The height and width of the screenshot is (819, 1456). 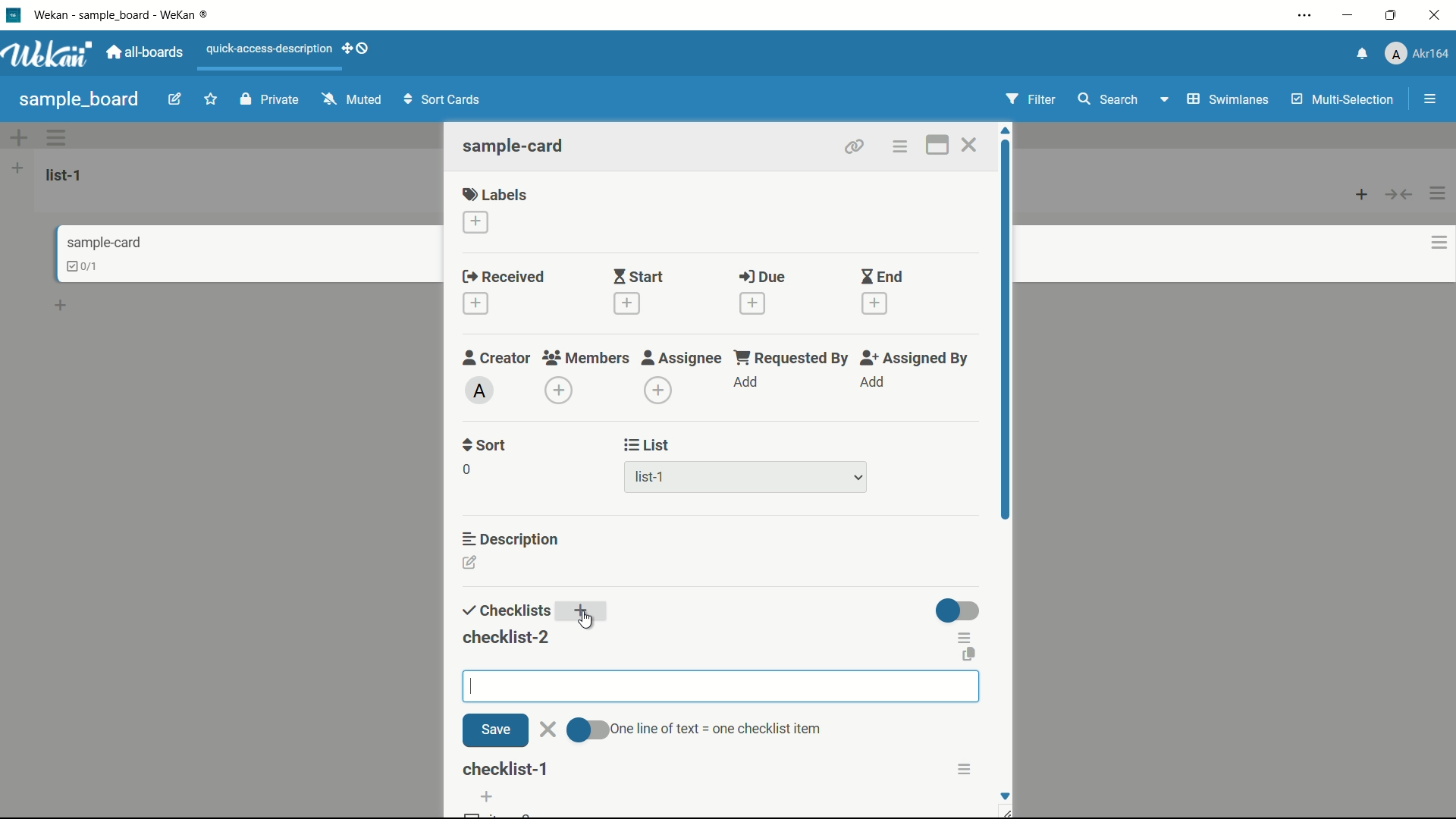 What do you see at coordinates (17, 168) in the screenshot?
I see `add list` at bounding box center [17, 168].